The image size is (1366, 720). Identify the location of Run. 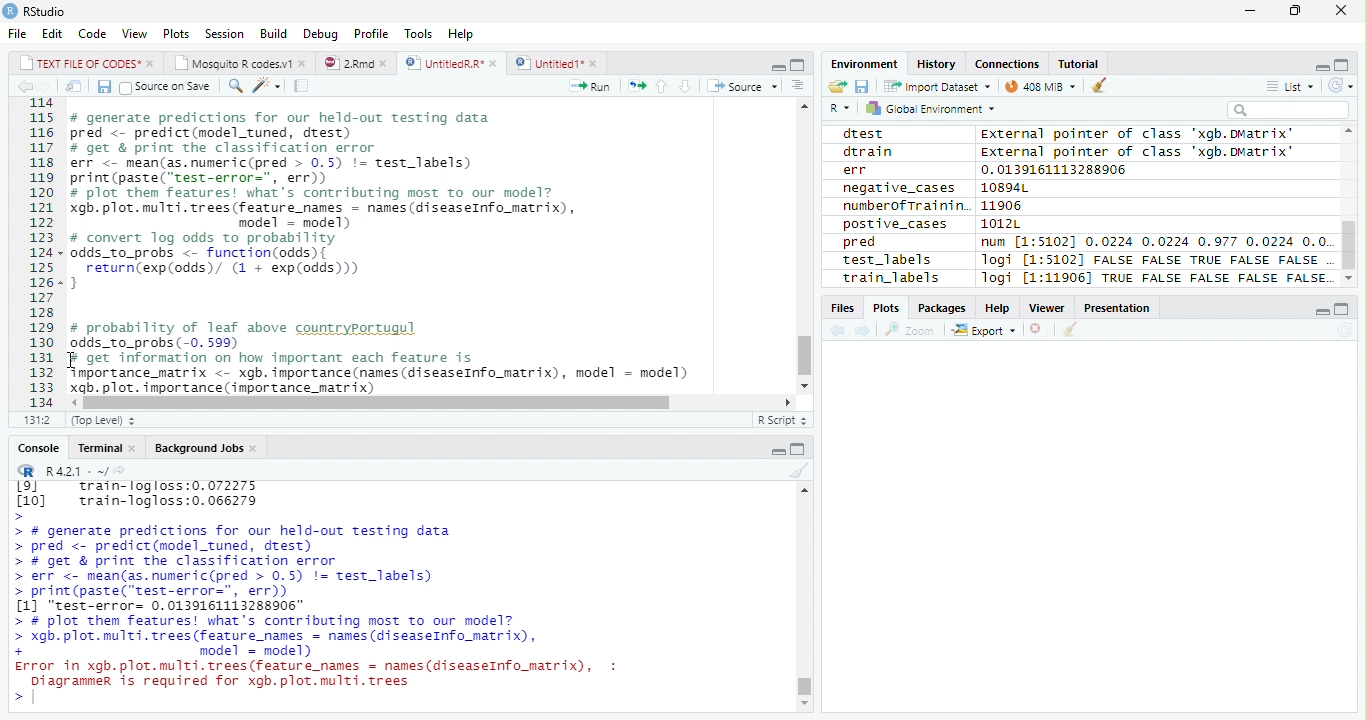
(591, 85).